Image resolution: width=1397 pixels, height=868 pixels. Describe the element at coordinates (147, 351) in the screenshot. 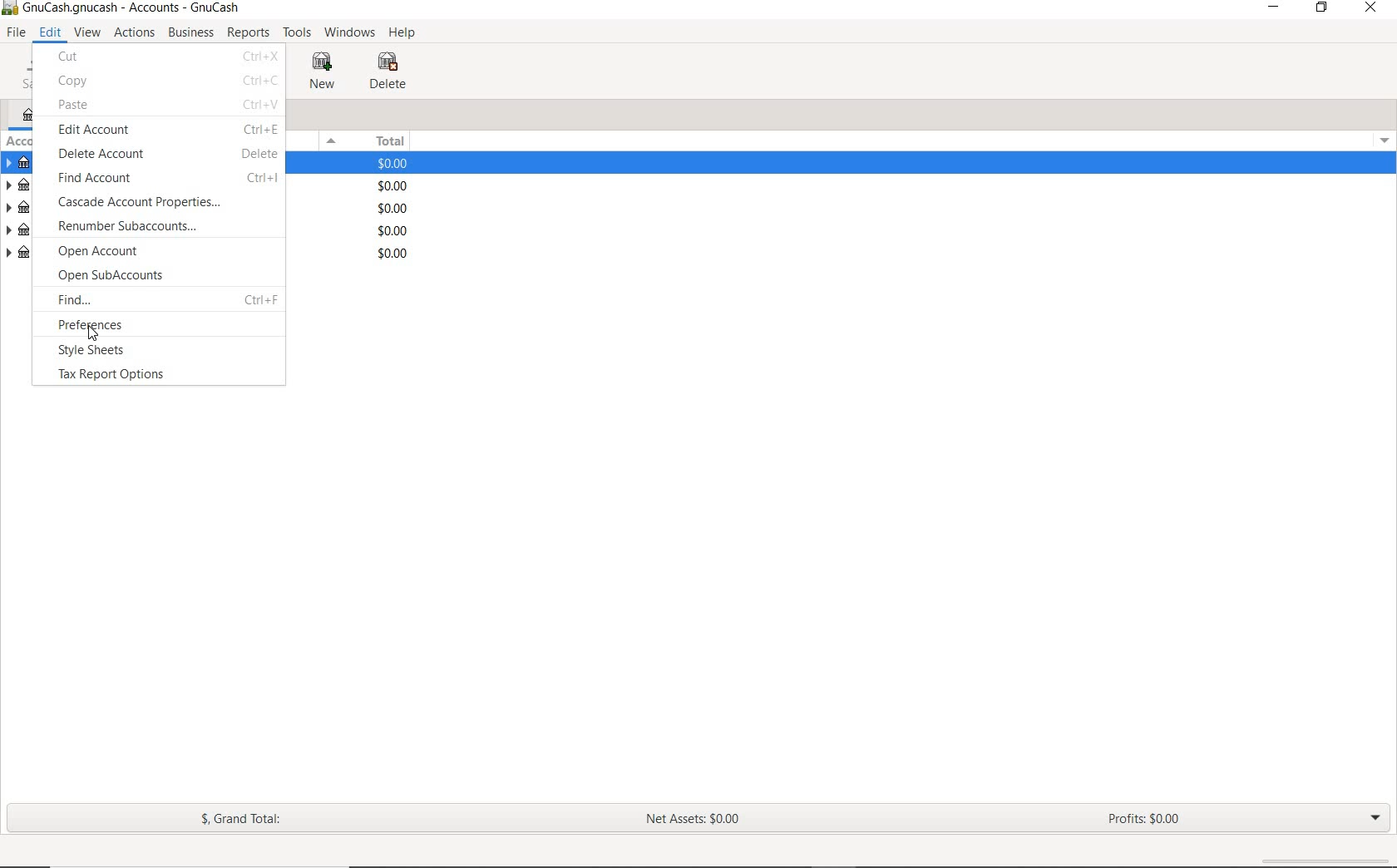

I see `STYLE SHEETS` at that location.